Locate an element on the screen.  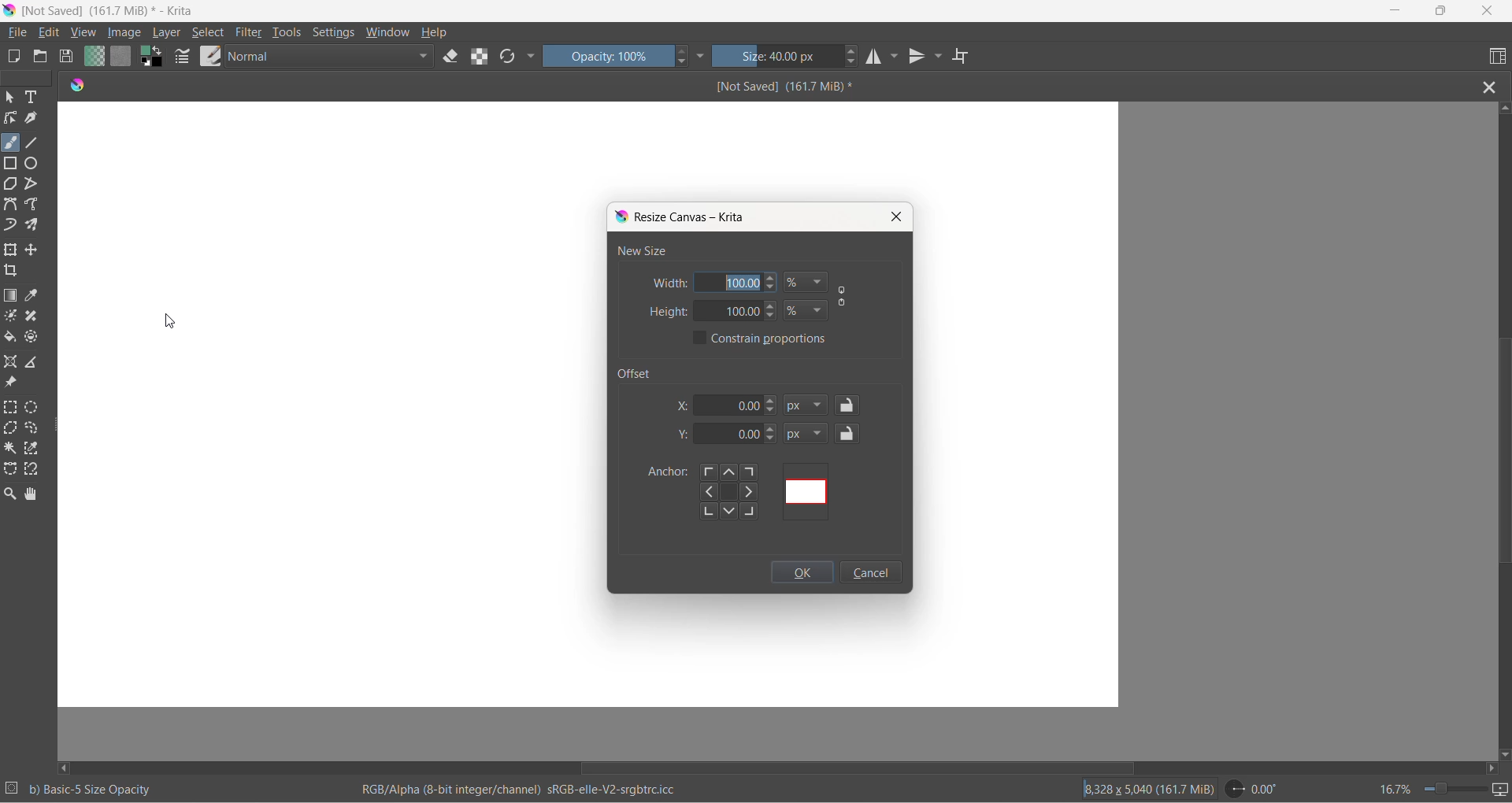
canvas size is located at coordinates (588, 150).